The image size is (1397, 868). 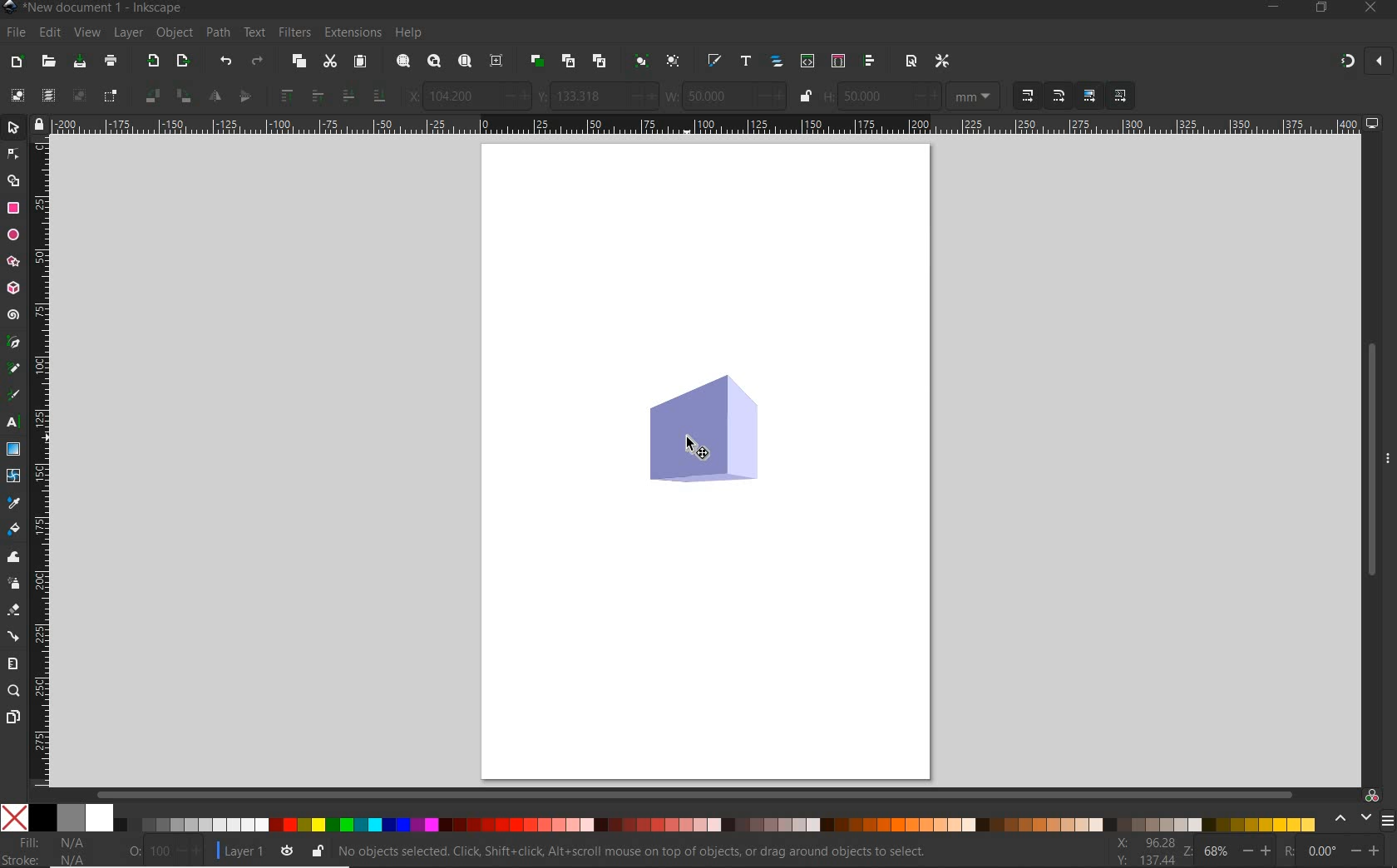 What do you see at coordinates (347, 96) in the screenshot?
I see `lower selection` at bounding box center [347, 96].